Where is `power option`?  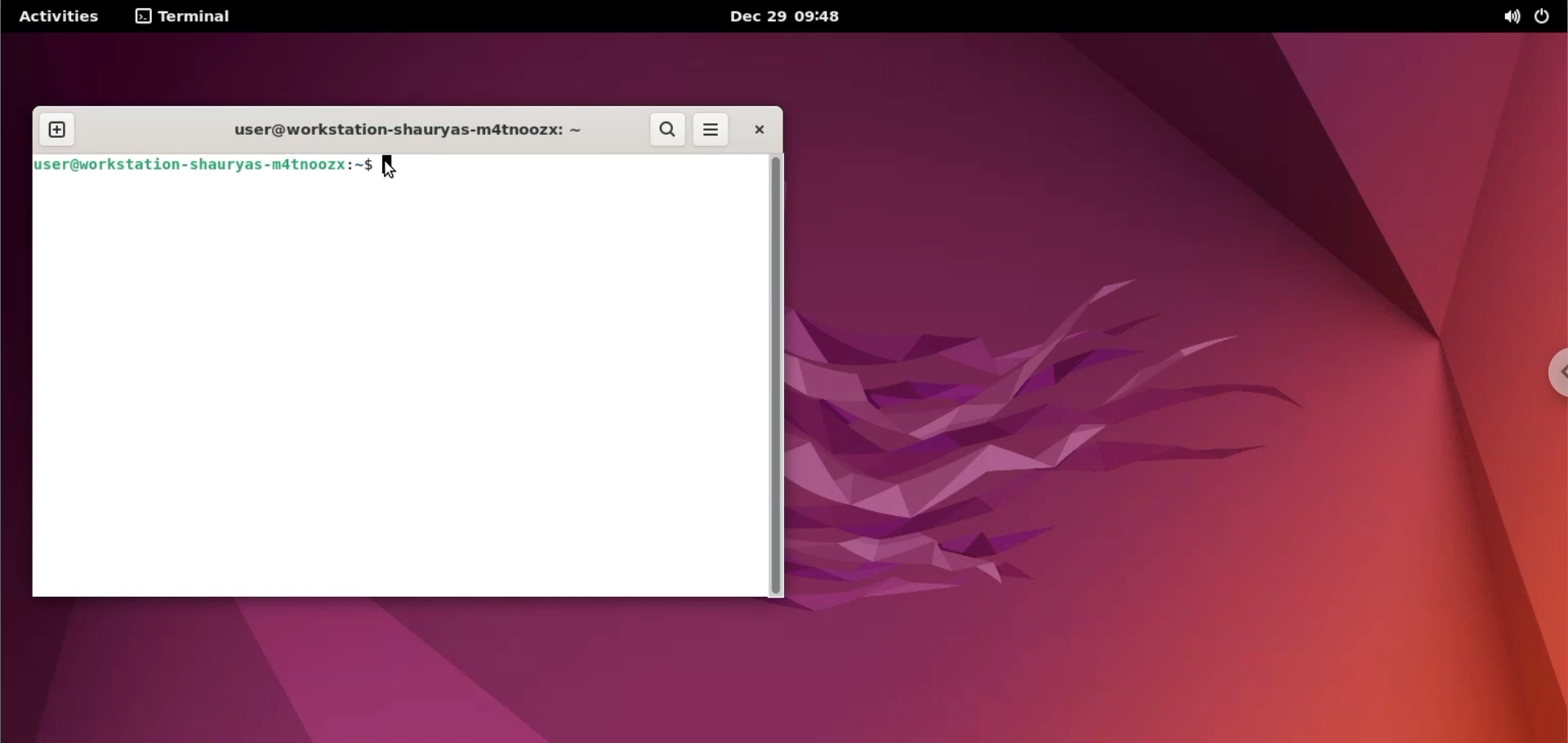
power option is located at coordinates (1548, 17).